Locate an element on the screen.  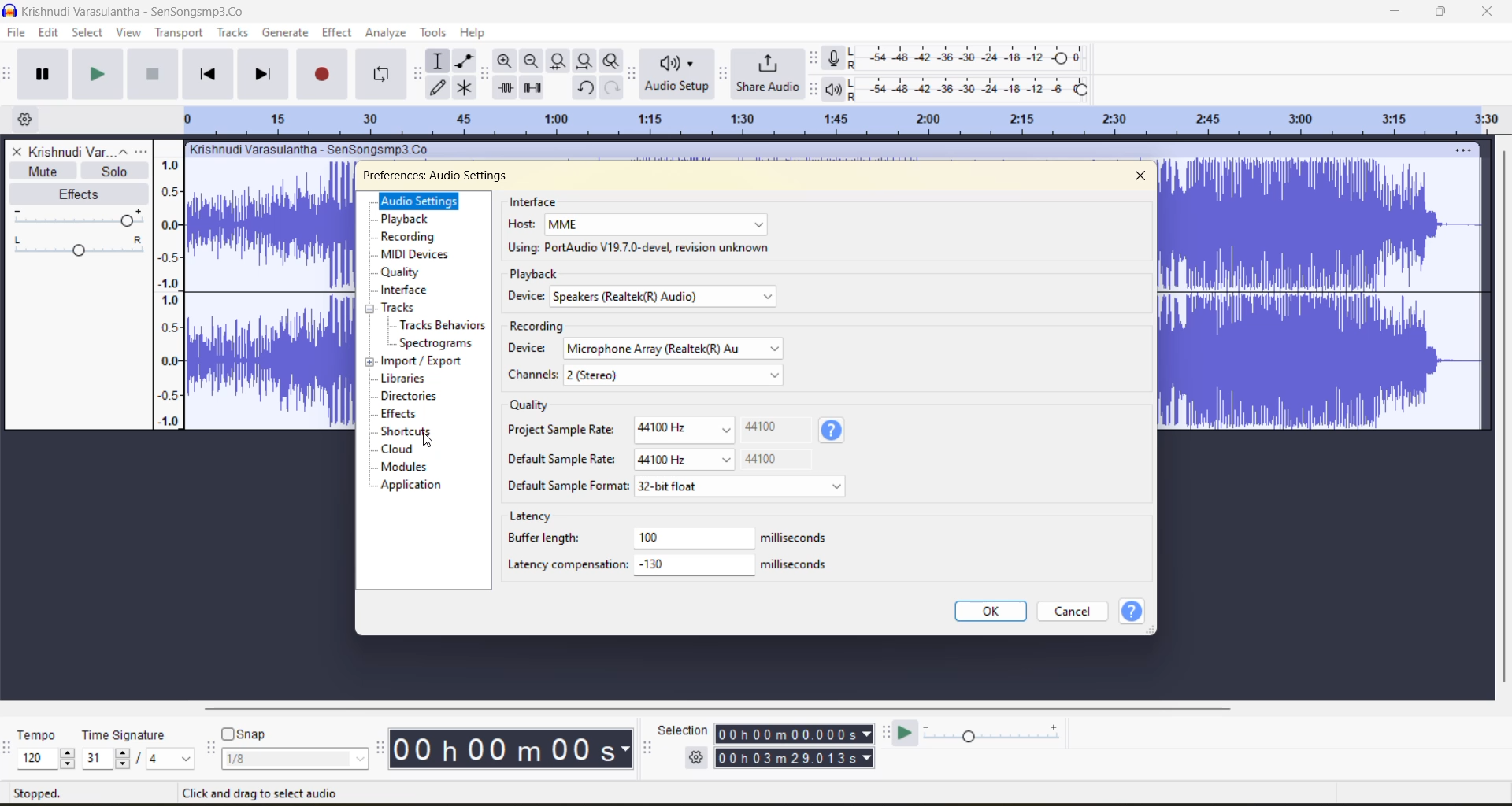
preferences audio settings is located at coordinates (454, 175).